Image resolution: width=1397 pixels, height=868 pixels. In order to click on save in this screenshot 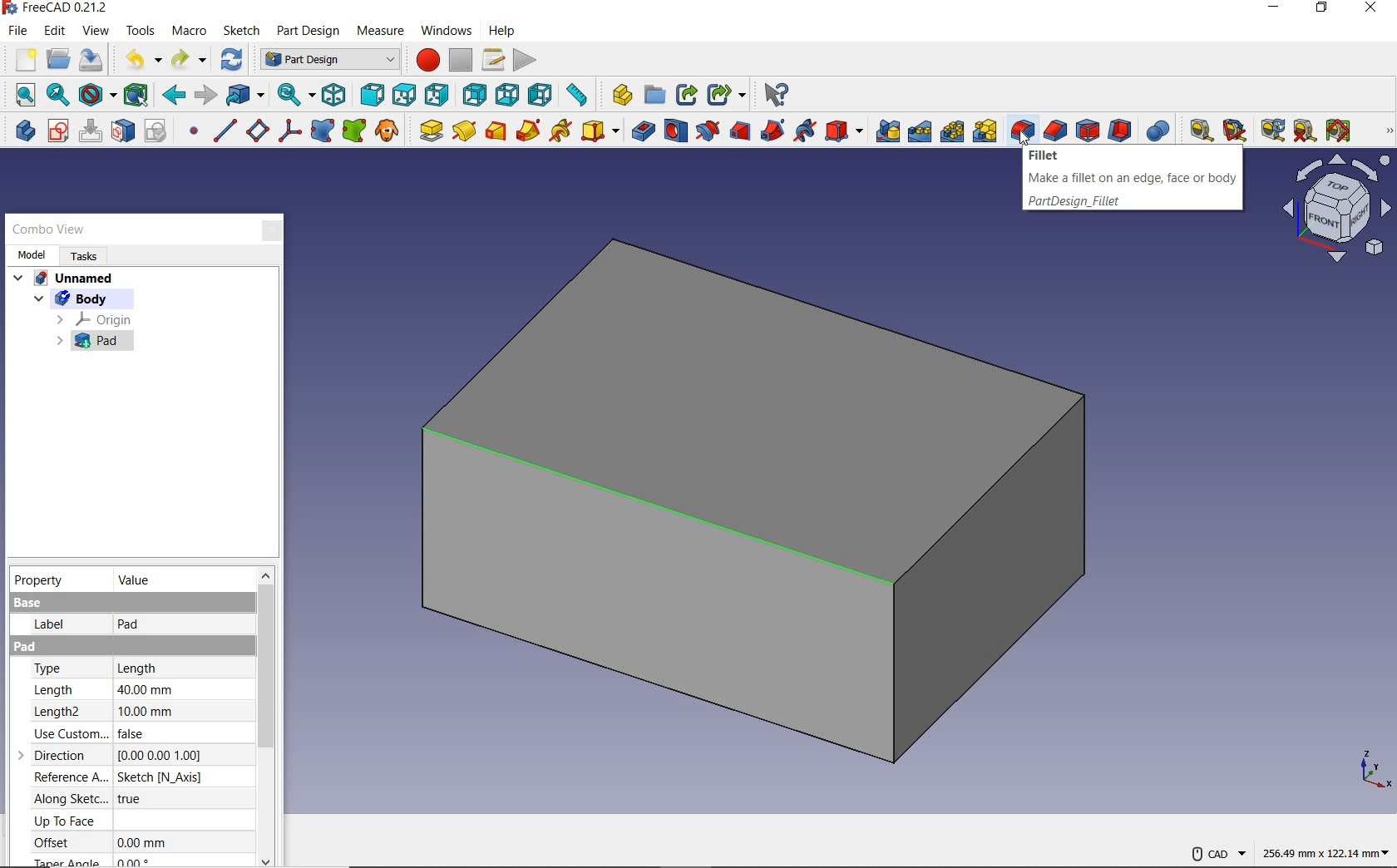, I will do `click(92, 60)`.